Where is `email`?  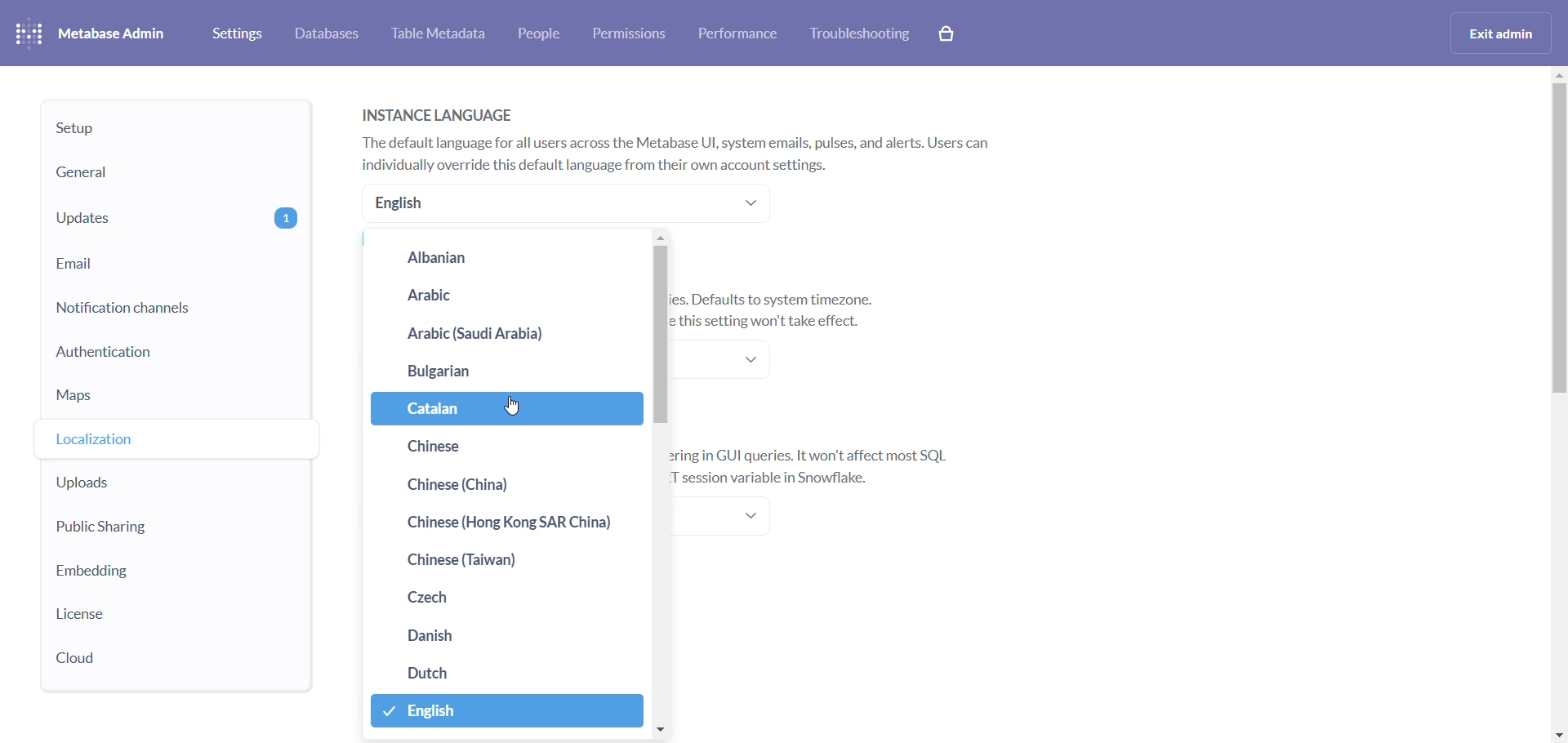 email is located at coordinates (173, 264).